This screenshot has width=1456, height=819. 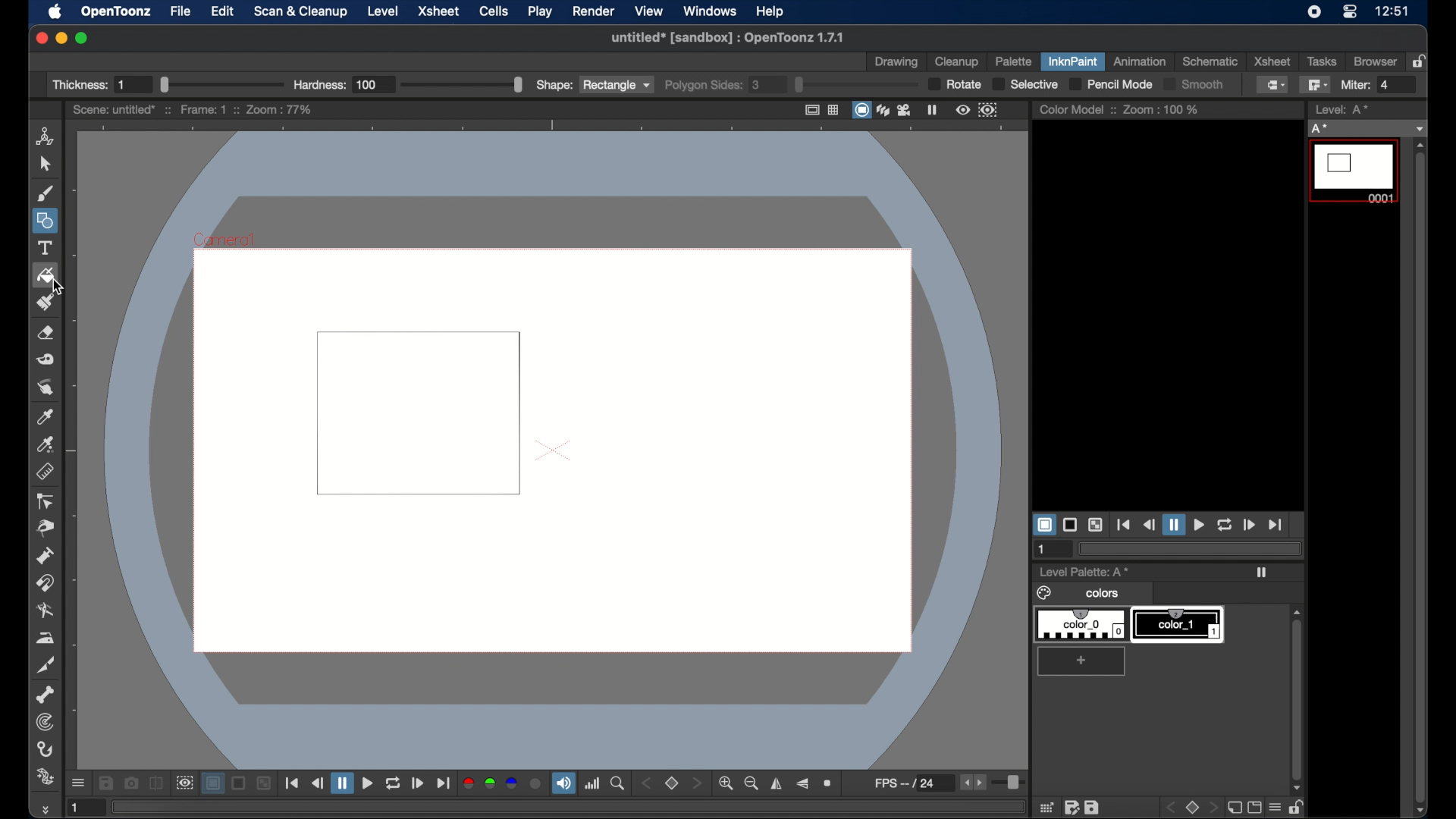 I want to click on view, so click(x=650, y=11).